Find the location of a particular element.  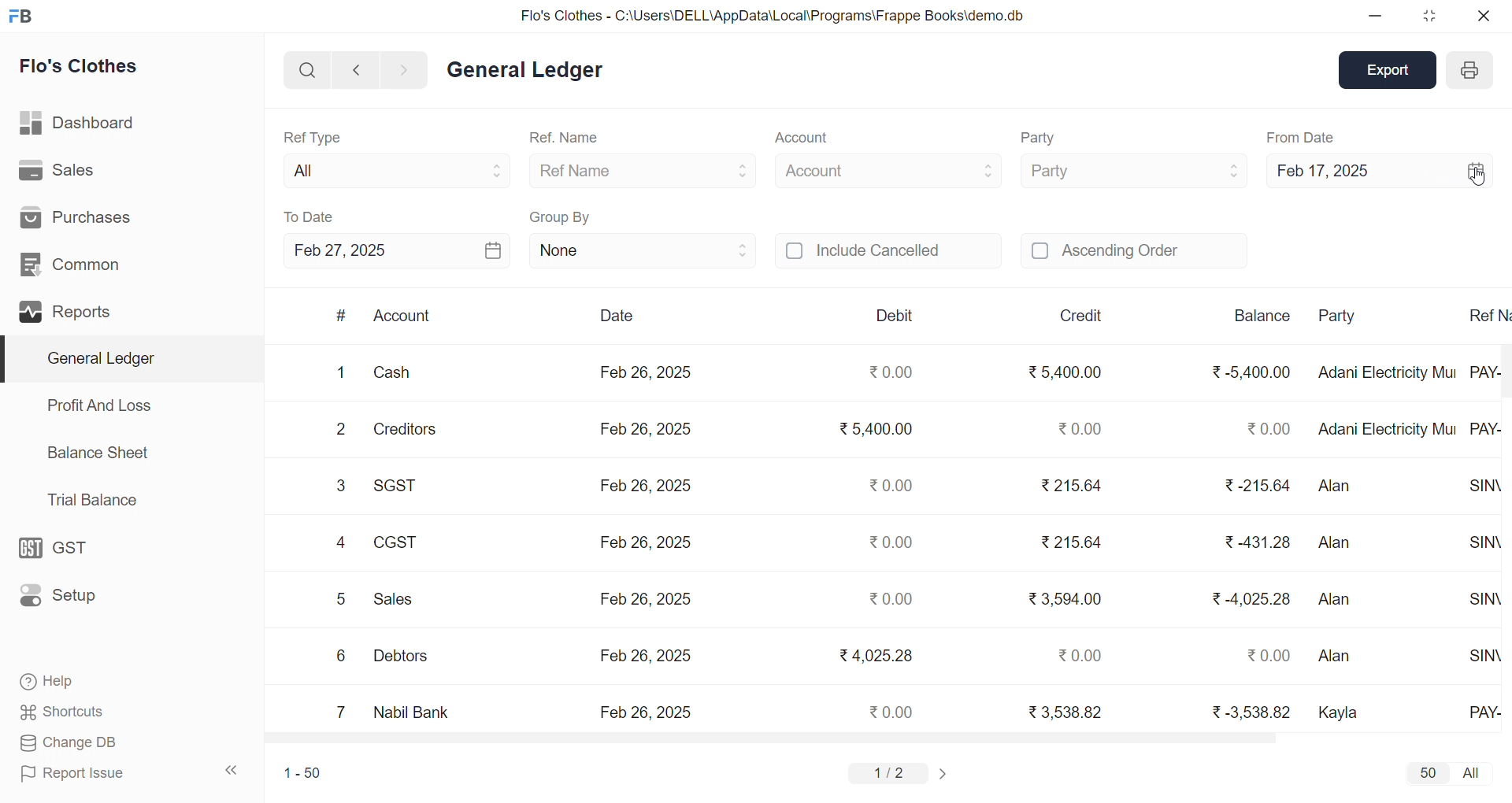

Feb 26, 2025 is located at coordinates (649, 430).